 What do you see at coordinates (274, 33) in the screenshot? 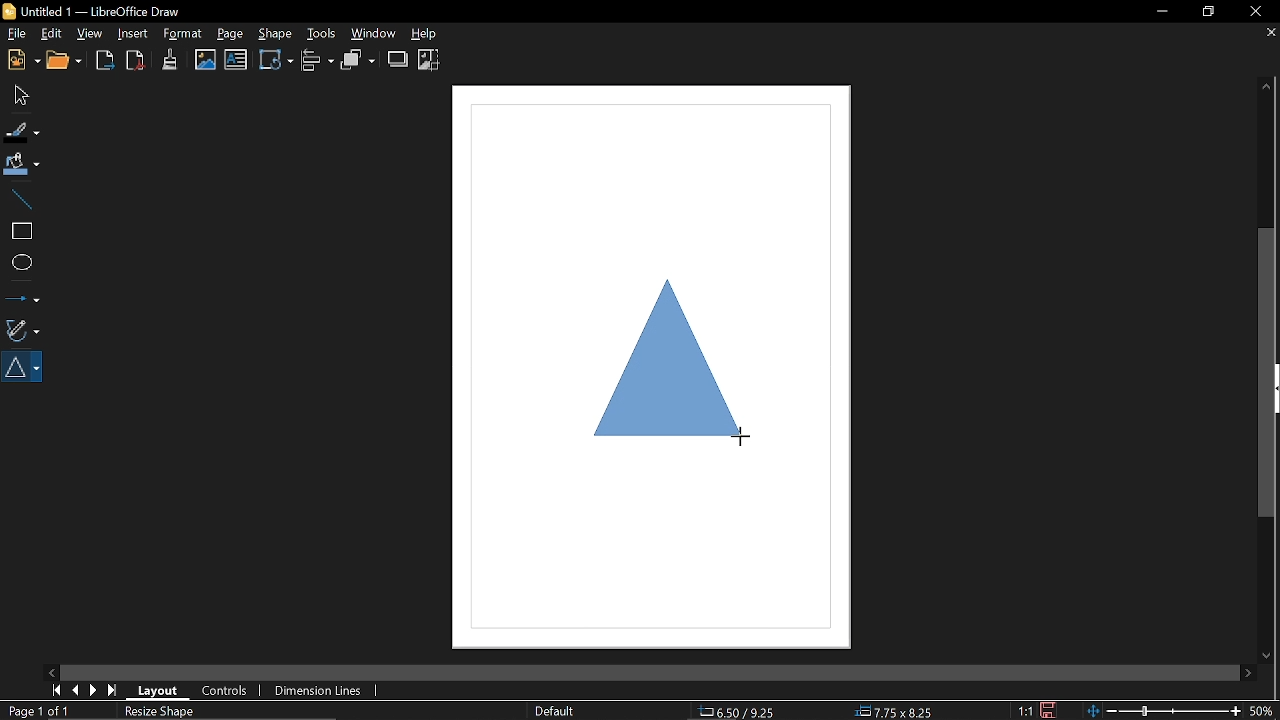
I see `shape` at bounding box center [274, 33].